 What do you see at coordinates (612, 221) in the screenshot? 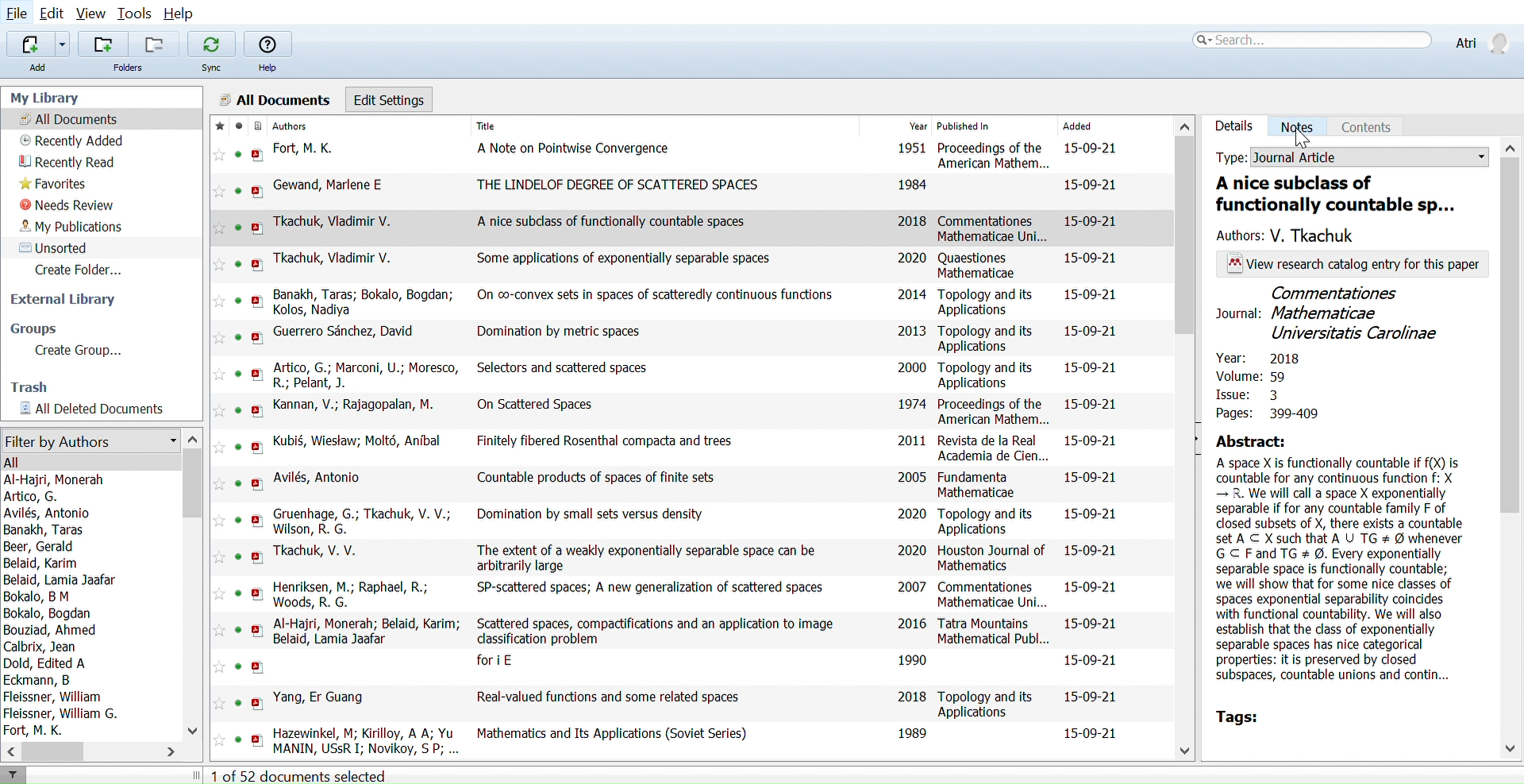
I see `A nice subclass of functionally countable spaces` at bounding box center [612, 221].